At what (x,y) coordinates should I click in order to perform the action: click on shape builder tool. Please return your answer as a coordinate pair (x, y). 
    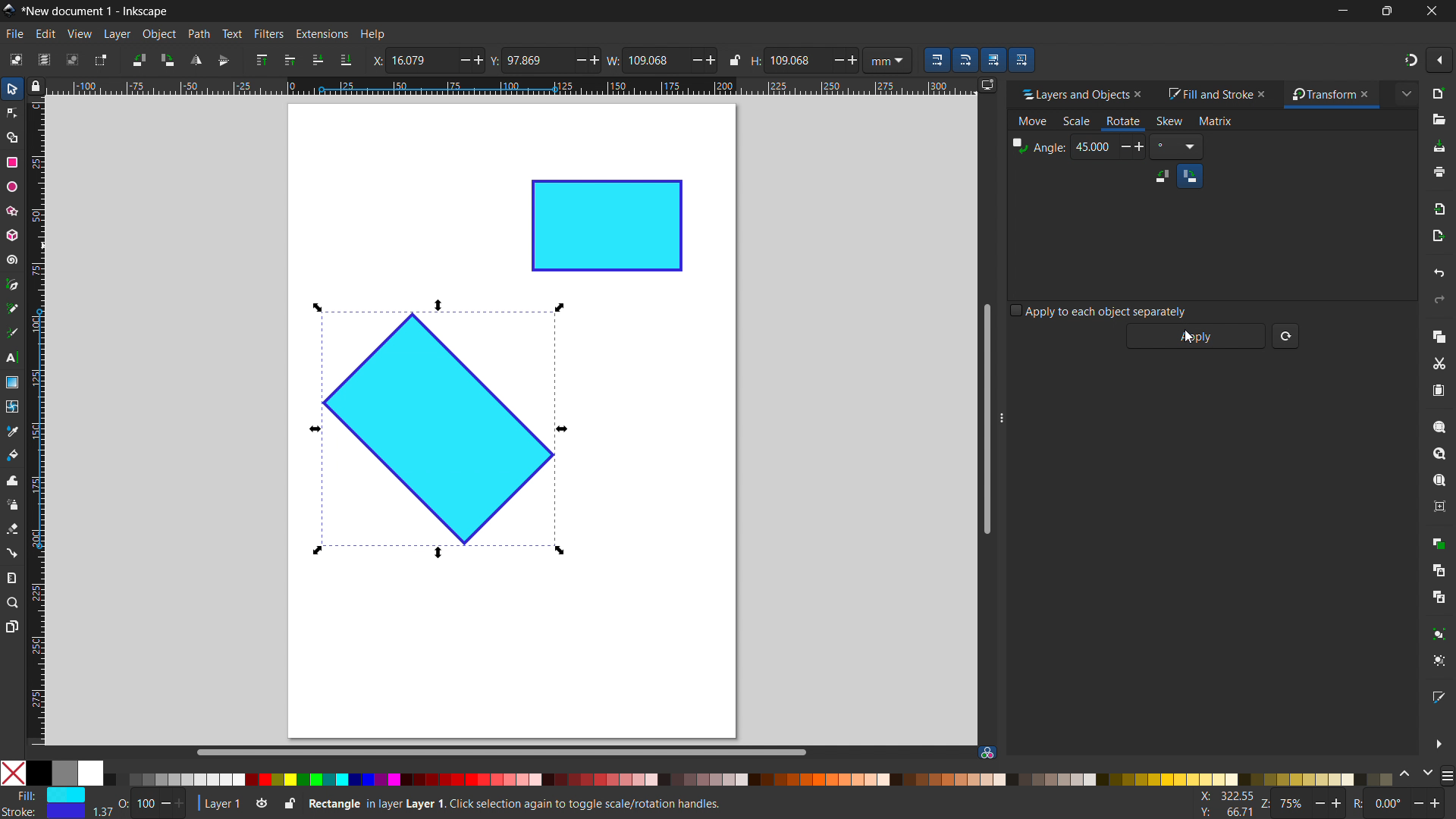
    Looking at the image, I should click on (10, 136).